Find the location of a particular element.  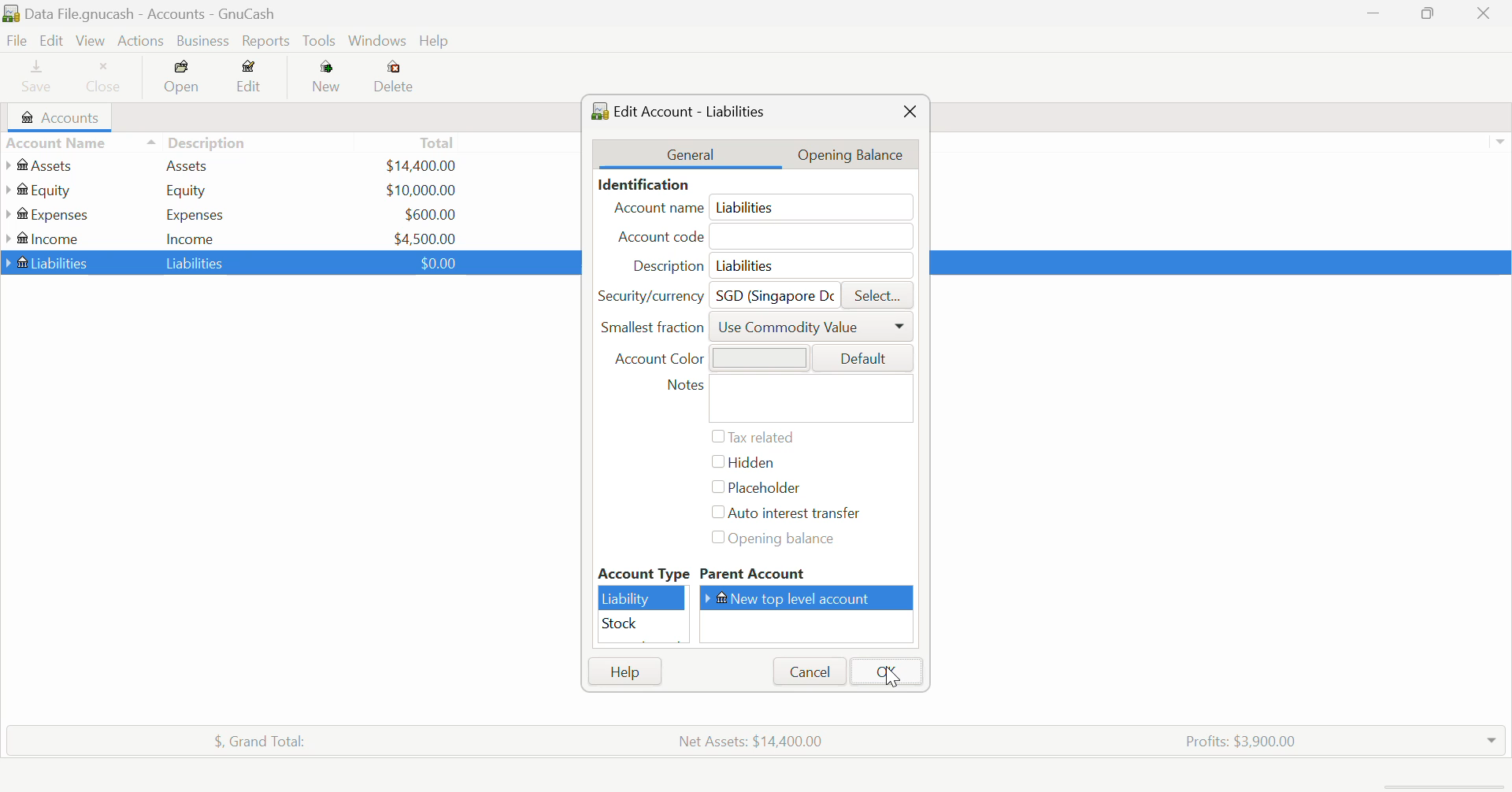

Select... is located at coordinates (877, 296).